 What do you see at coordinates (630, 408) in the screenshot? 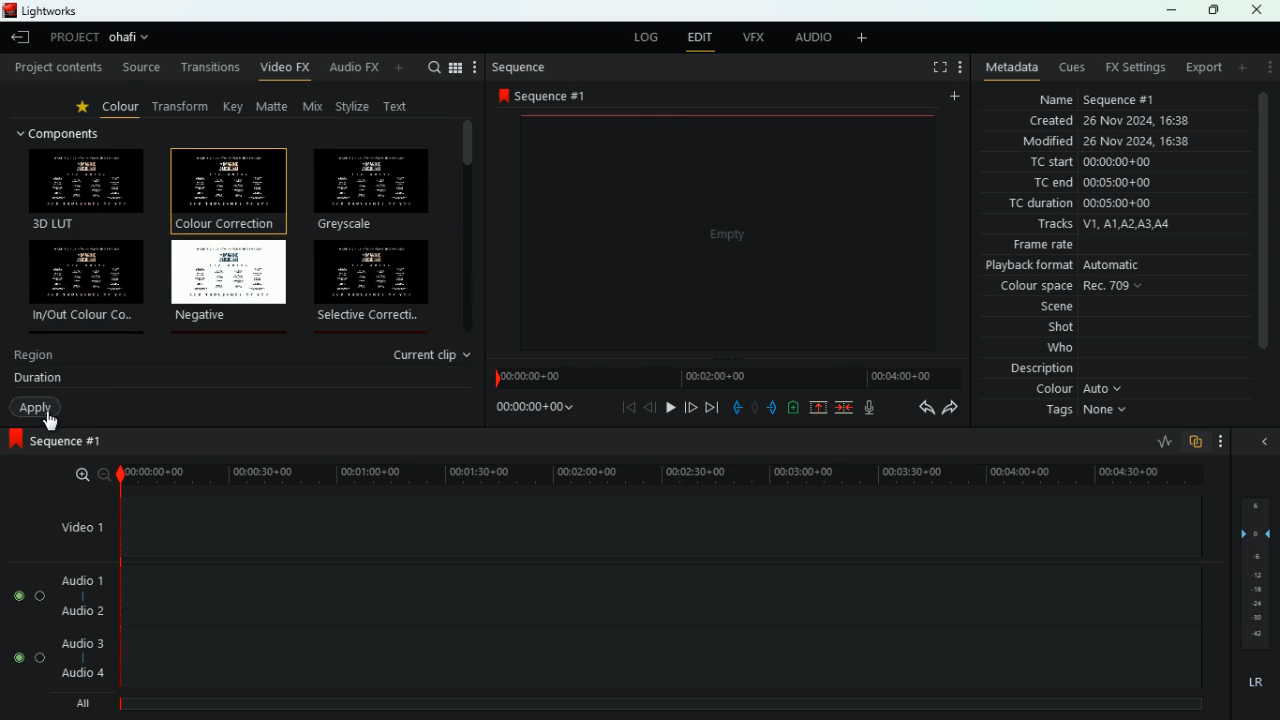
I see `back` at bounding box center [630, 408].